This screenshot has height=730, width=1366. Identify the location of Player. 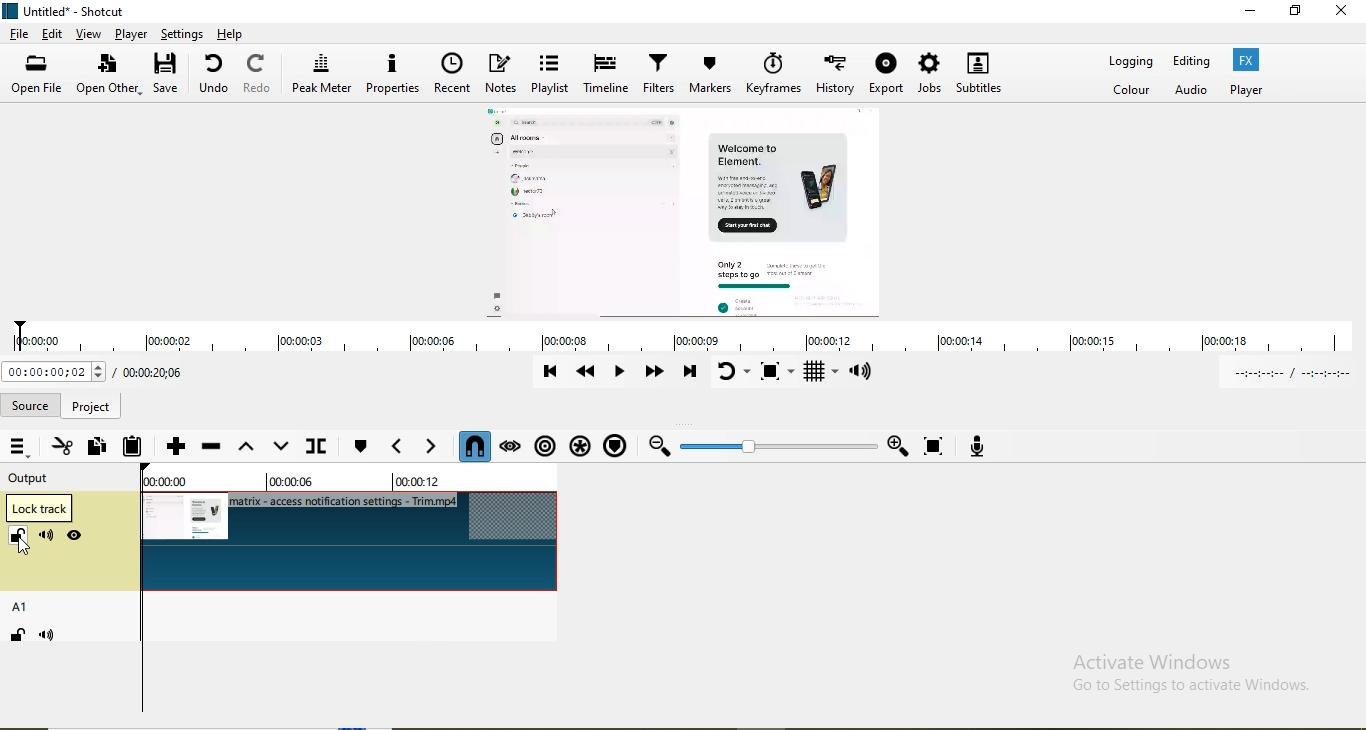
(1249, 90).